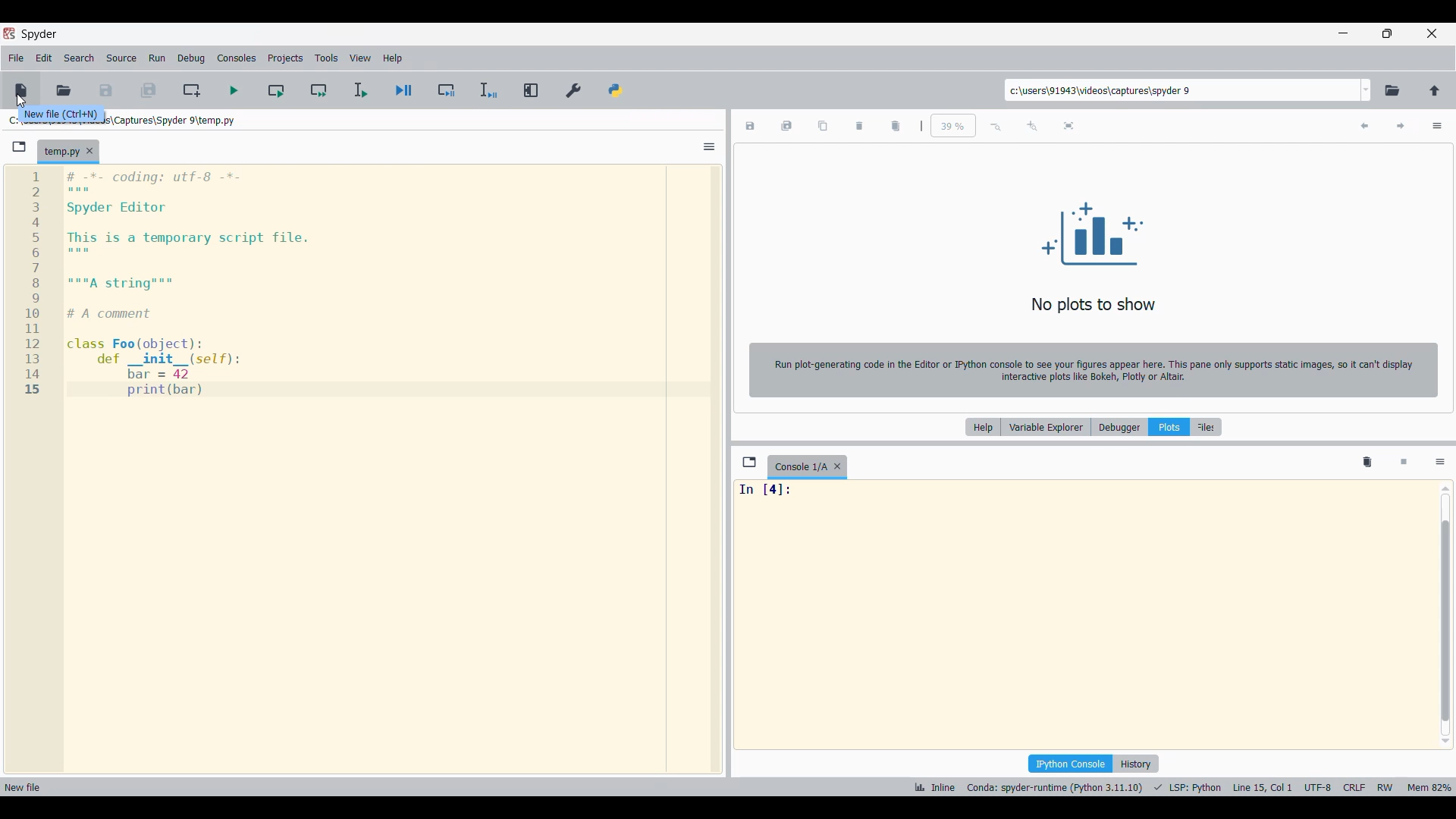 The image size is (1456, 819). What do you see at coordinates (1429, 786) in the screenshot?
I see `memory usage` at bounding box center [1429, 786].